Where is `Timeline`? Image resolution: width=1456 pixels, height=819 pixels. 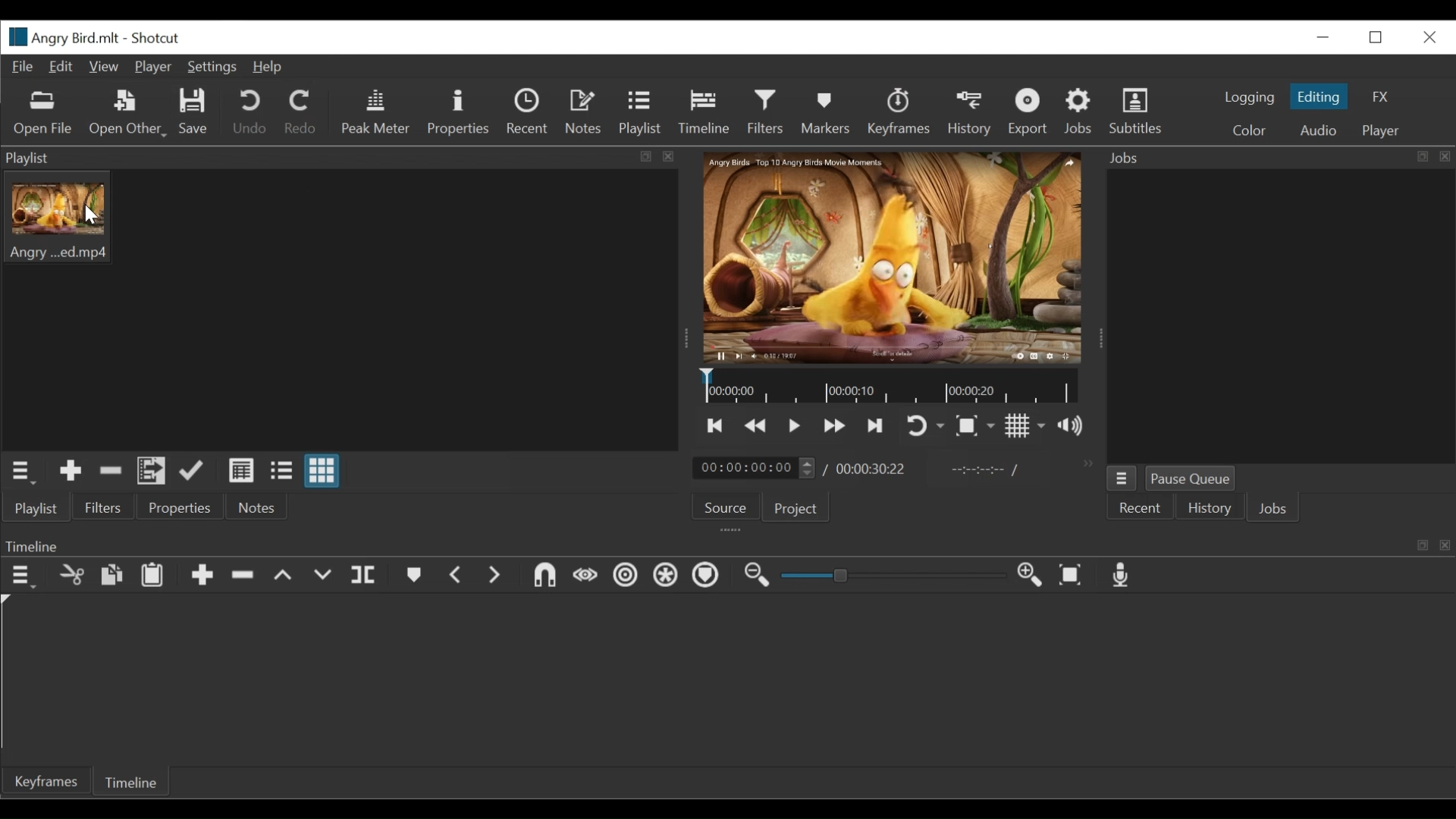
Timeline is located at coordinates (128, 781).